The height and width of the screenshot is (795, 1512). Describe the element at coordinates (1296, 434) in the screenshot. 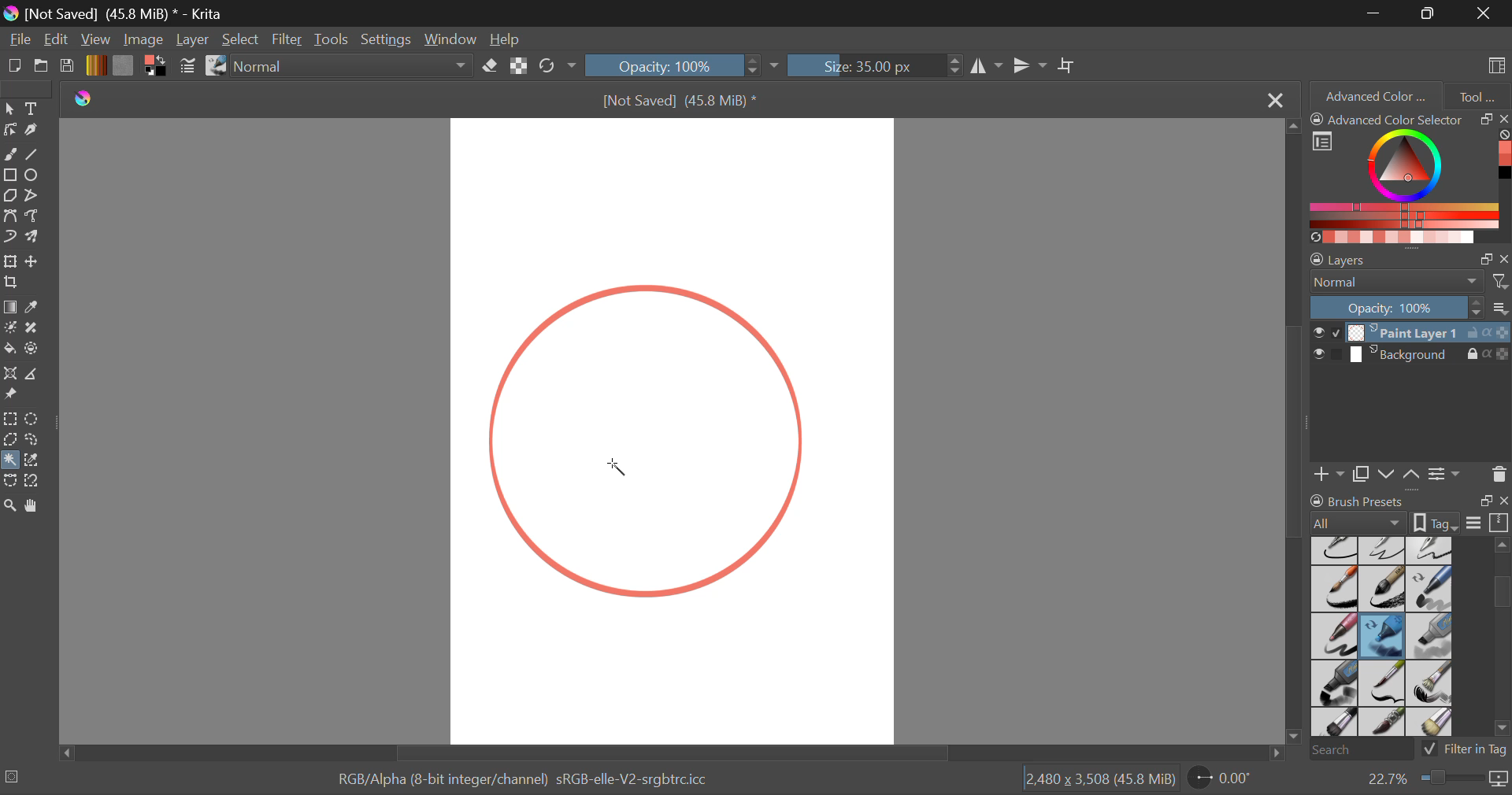

I see `Scroll Bar` at that location.